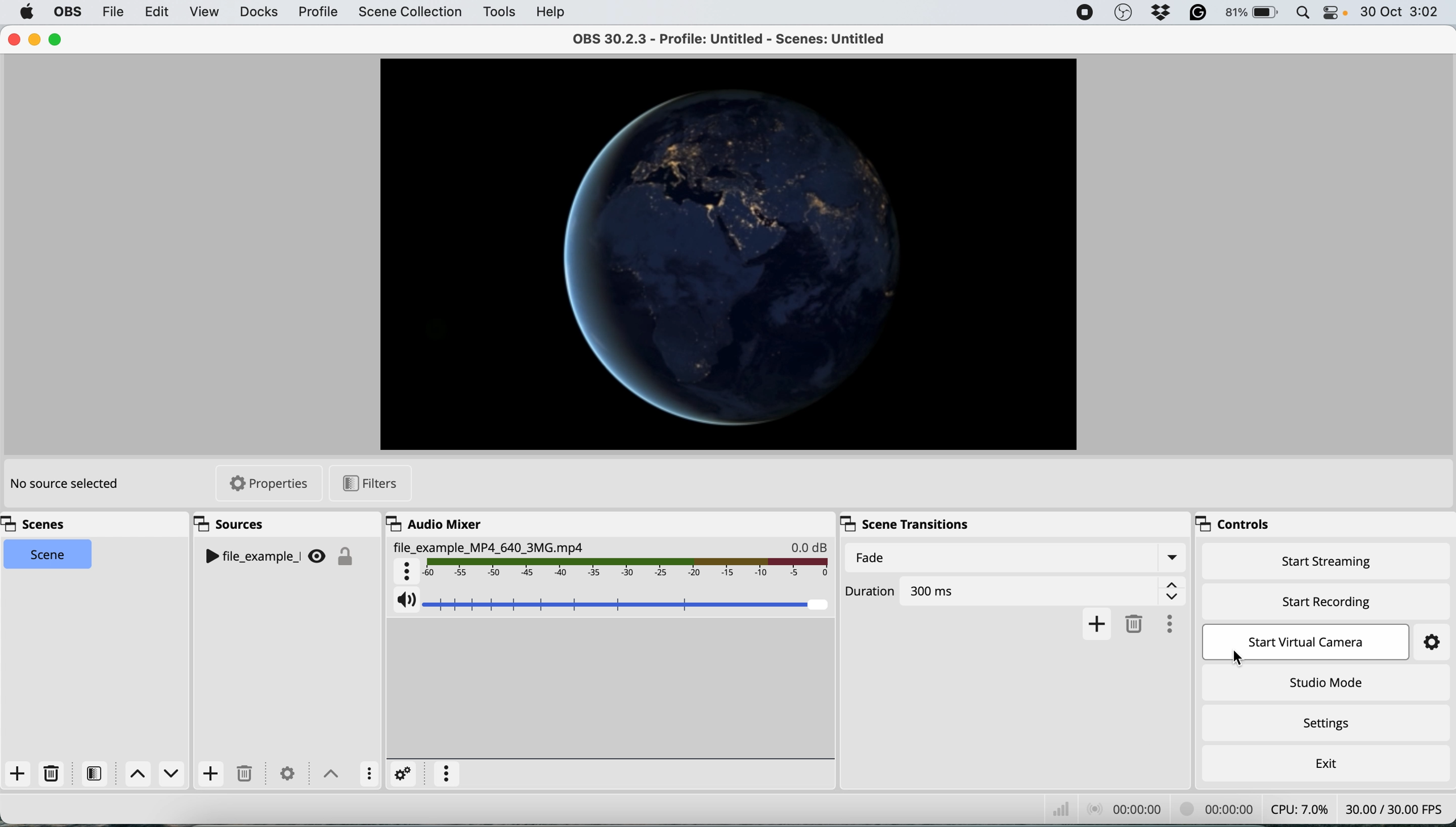 This screenshot has height=827, width=1456. What do you see at coordinates (1197, 14) in the screenshot?
I see `grammarly` at bounding box center [1197, 14].